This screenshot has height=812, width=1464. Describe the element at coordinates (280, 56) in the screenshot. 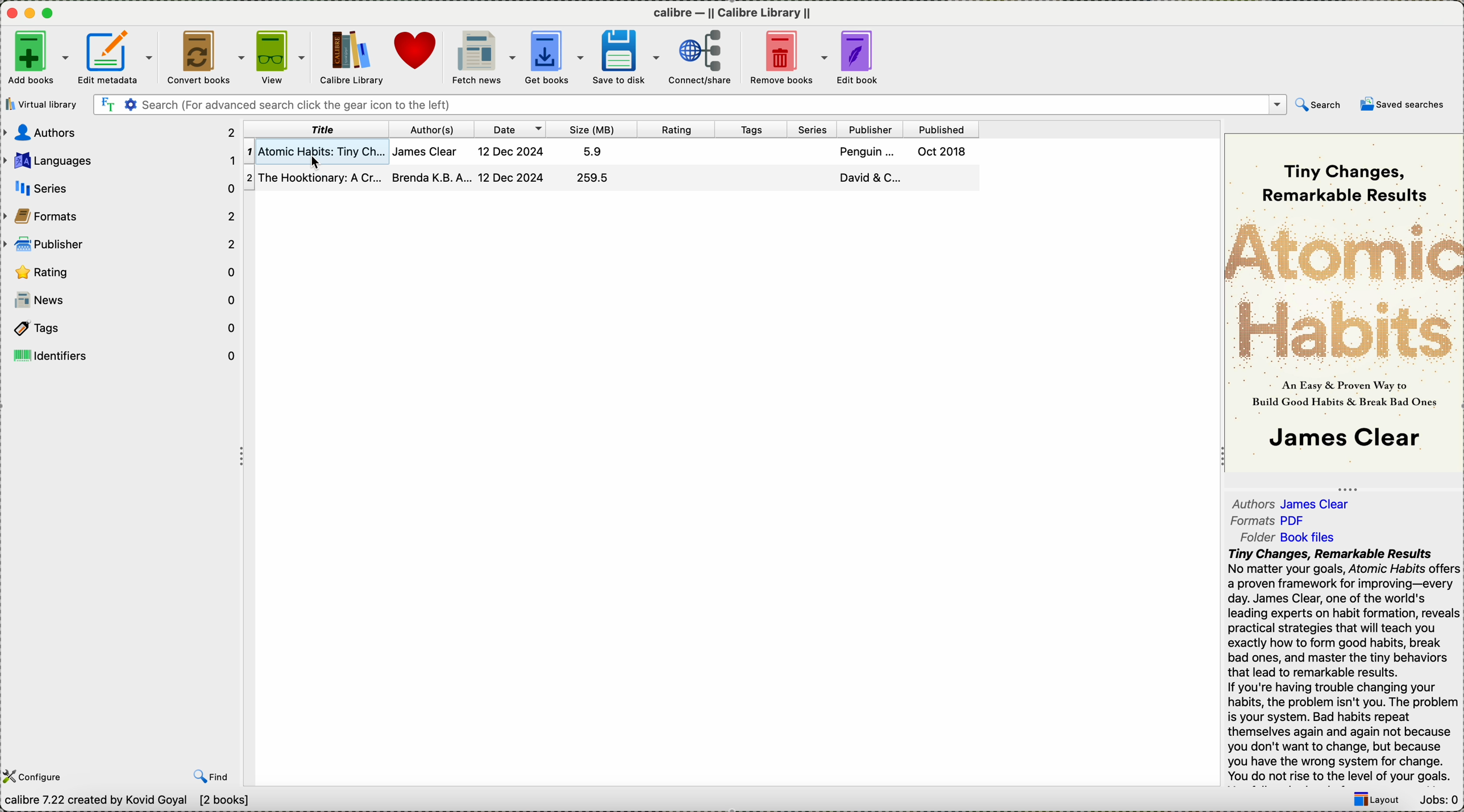

I see `view` at that location.